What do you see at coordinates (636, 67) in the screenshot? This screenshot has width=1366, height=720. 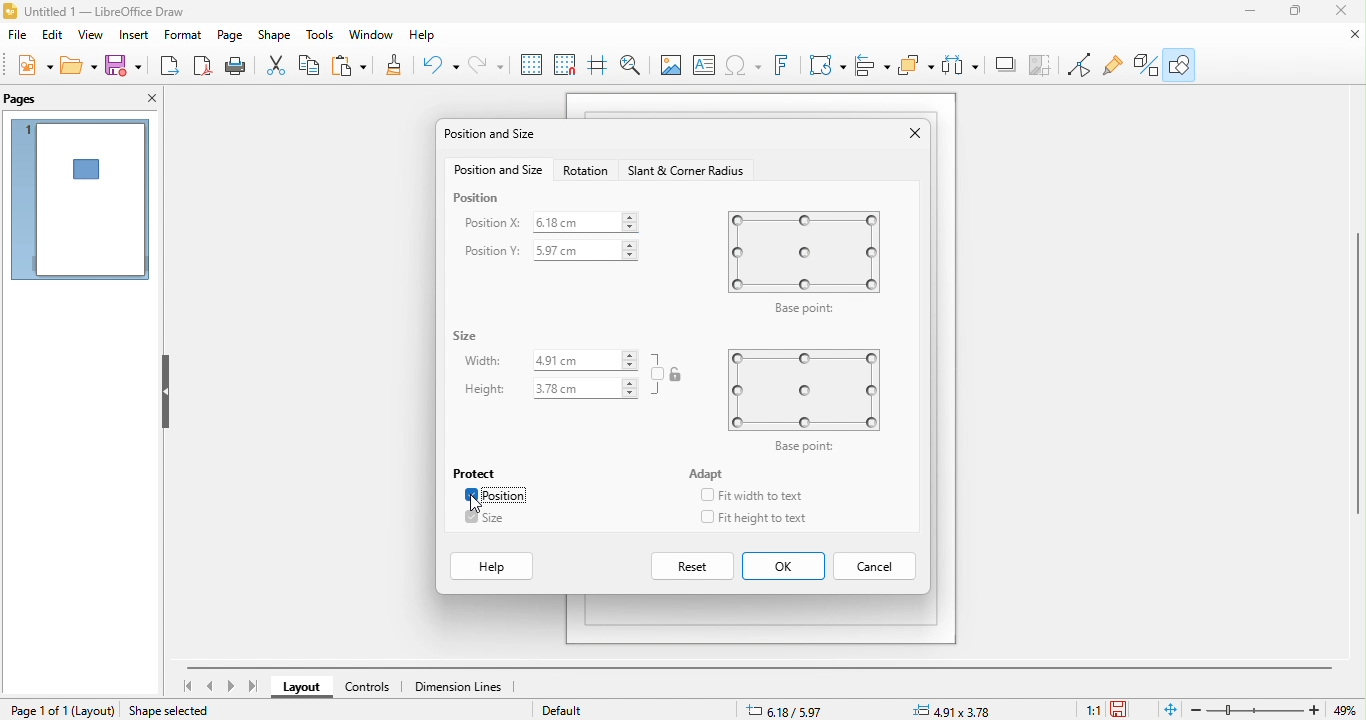 I see `zoom and pan` at bounding box center [636, 67].